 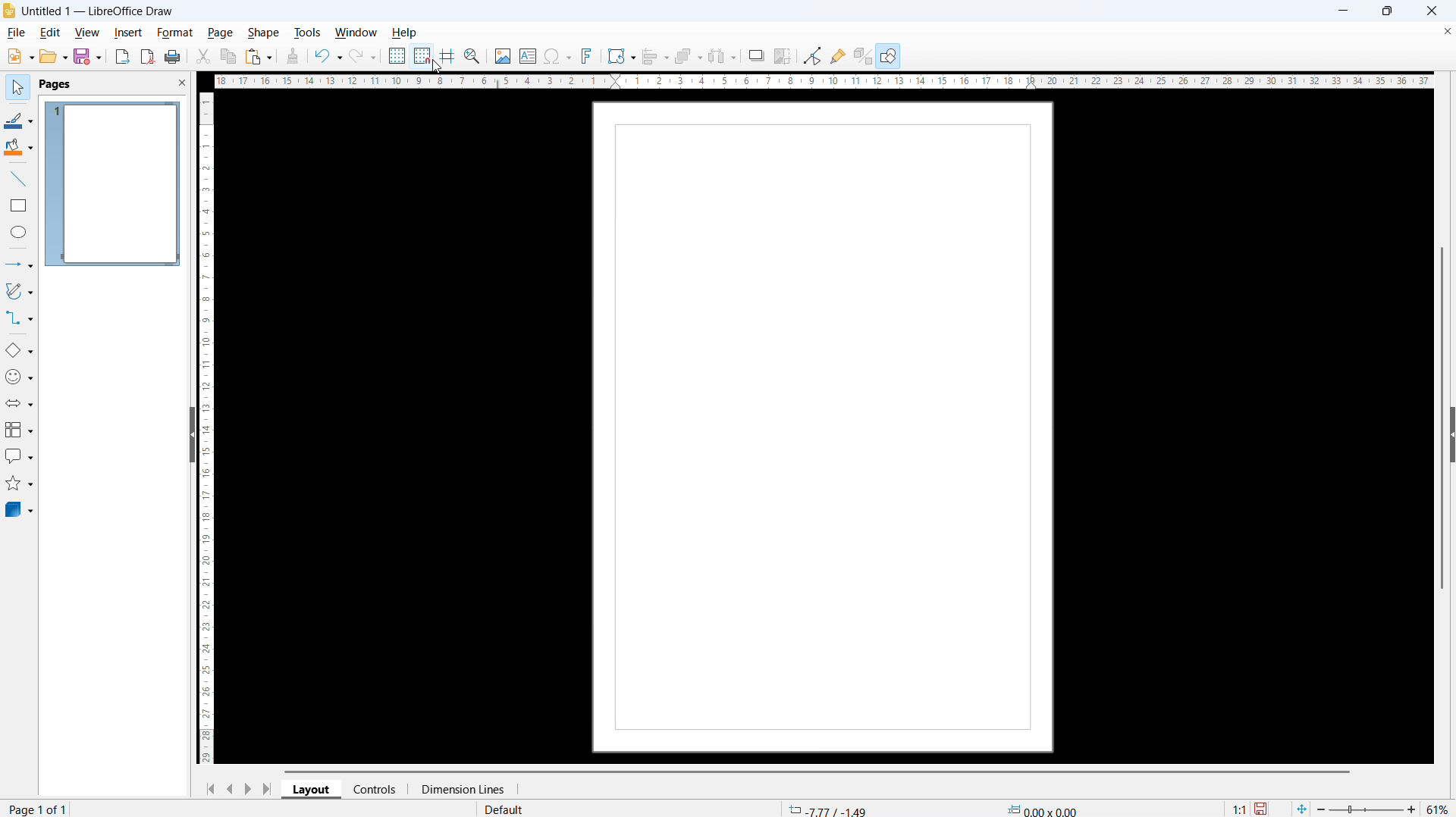 What do you see at coordinates (20, 56) in the screenshot?
I see `New ` at bounding box center [20, 56].